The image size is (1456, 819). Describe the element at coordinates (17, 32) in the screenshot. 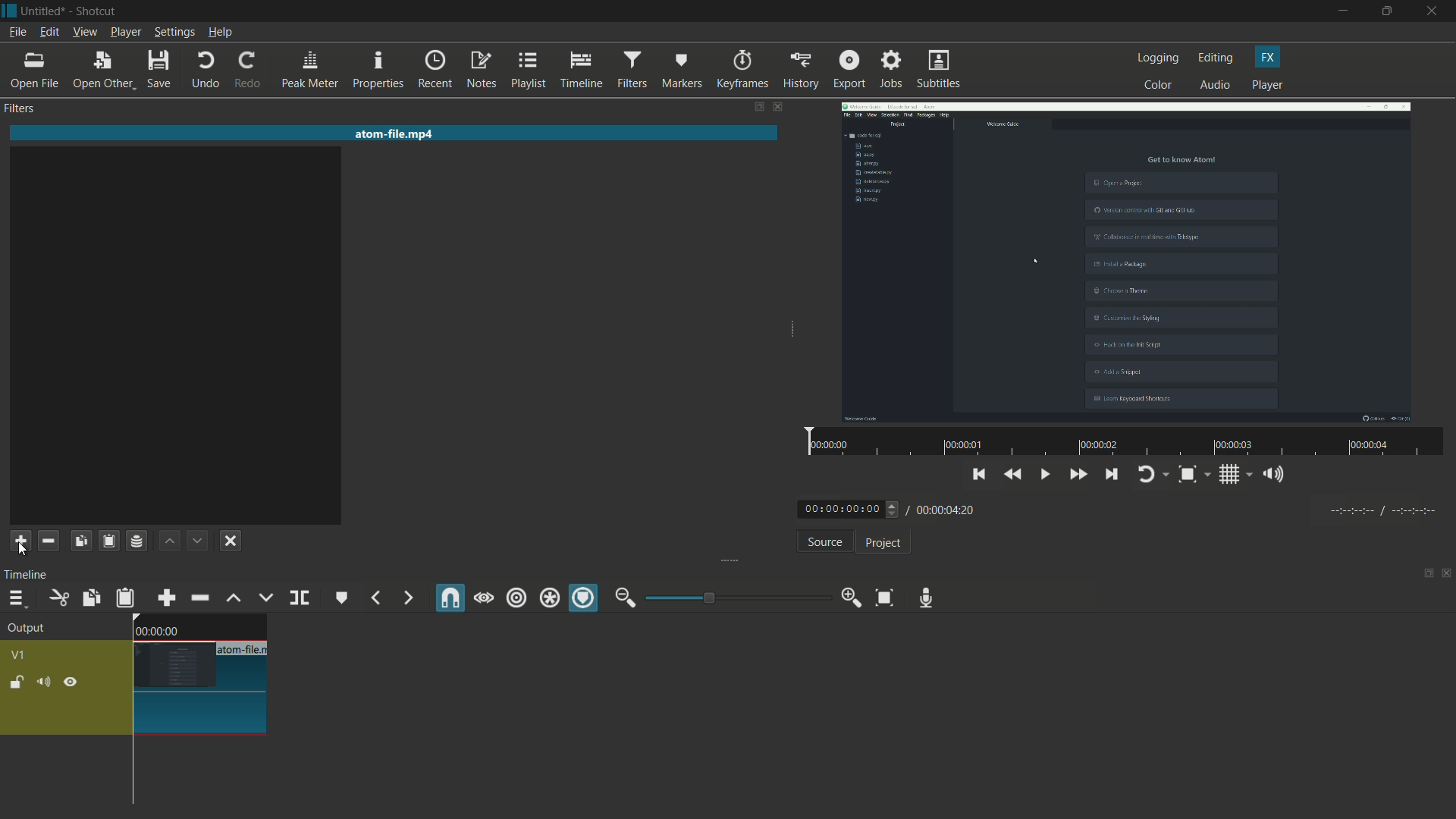

I see `file menu` at that location.